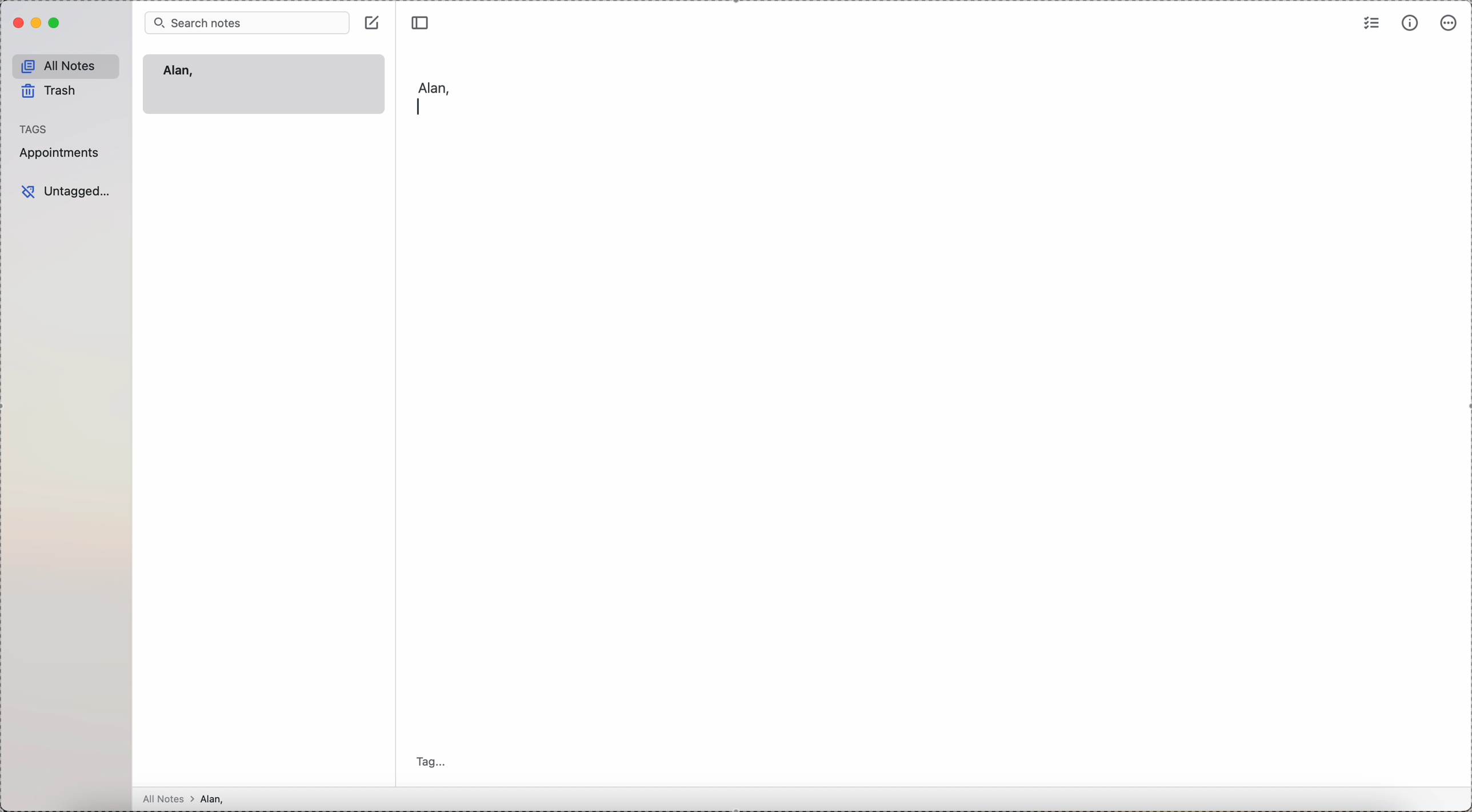  I want to click on trash, so click(51, 93).